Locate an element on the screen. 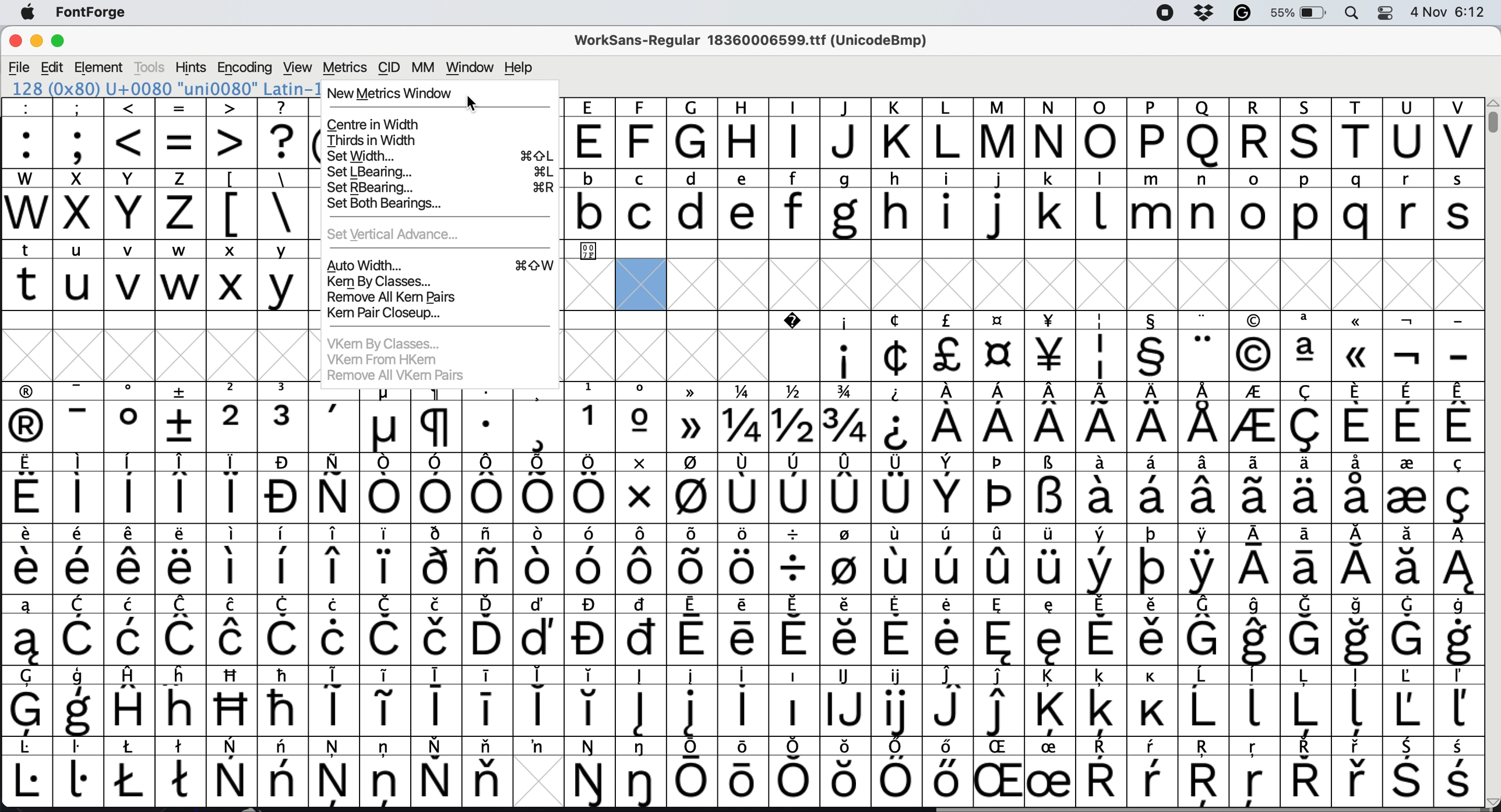 The image size is (1501, 812). special characters is located at coordinates (739, 675).